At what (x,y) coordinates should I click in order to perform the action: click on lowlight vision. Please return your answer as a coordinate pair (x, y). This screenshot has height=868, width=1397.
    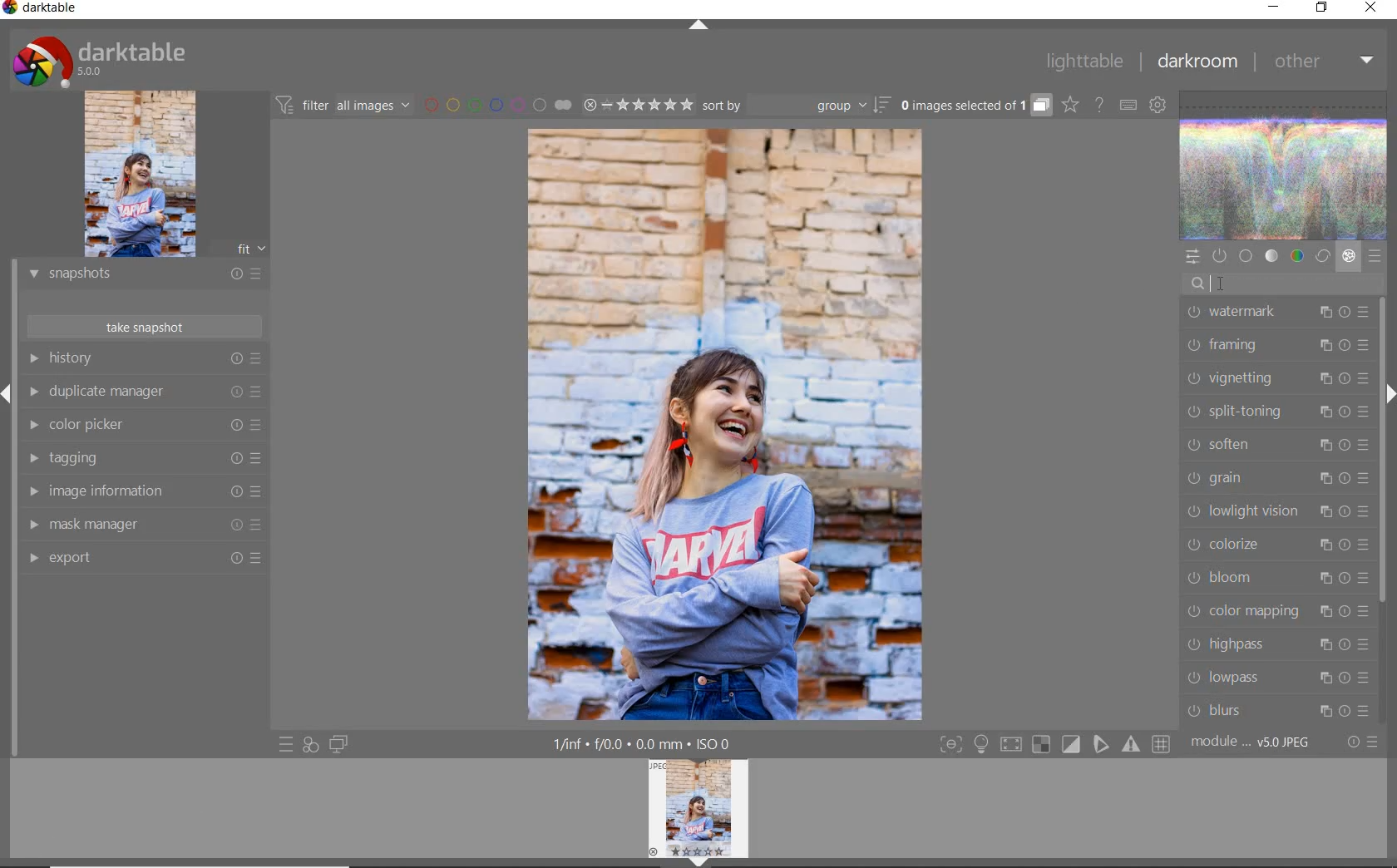
    Looking at the image, I should click on (1277, 510).